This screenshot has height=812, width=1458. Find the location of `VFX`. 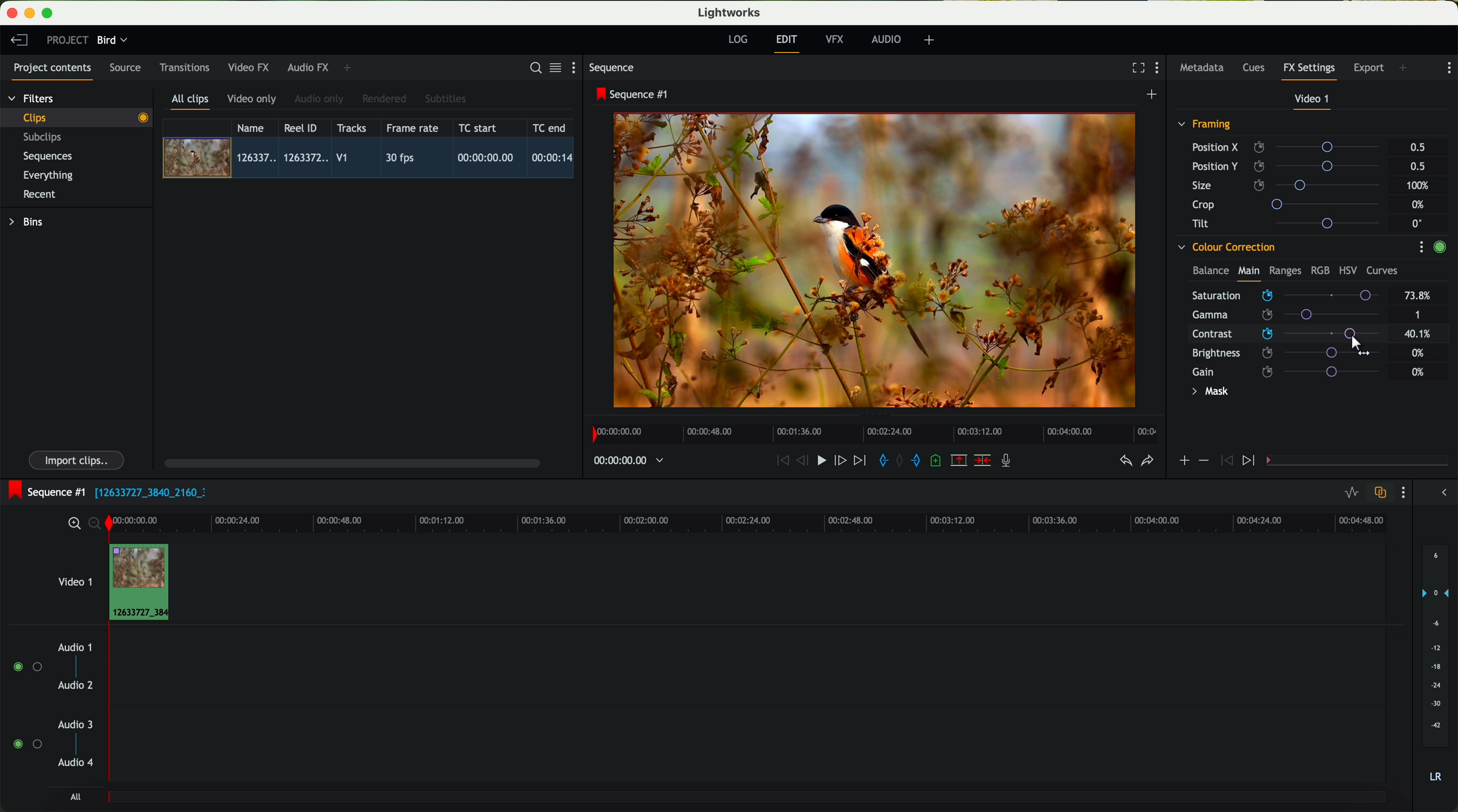

VFX is located at coordinates (837, 40).